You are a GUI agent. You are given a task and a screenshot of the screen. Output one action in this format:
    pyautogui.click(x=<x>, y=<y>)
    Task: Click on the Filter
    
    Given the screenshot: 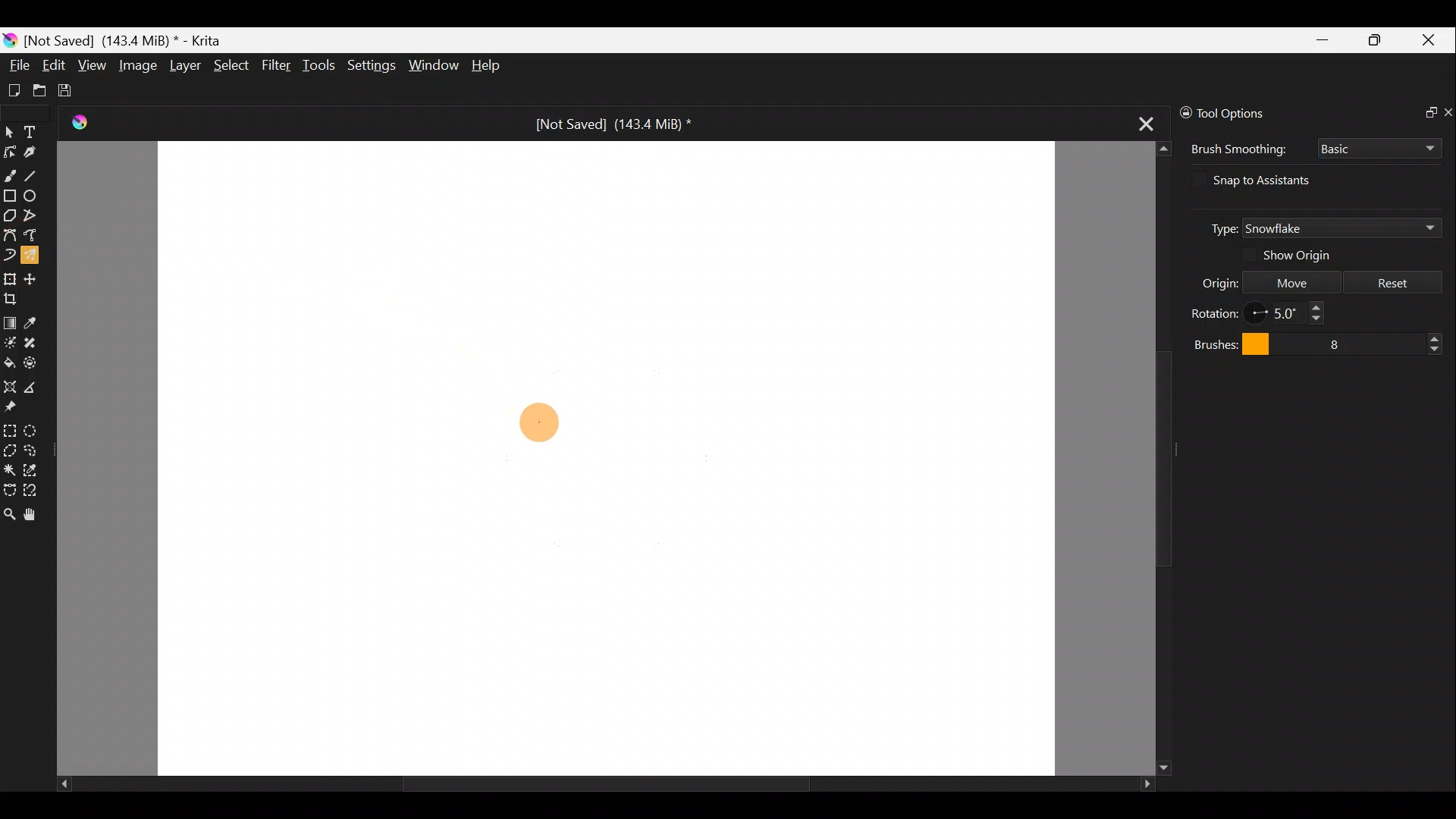 What is the action you would take?
    pyautogui.click(x=279, y=66)
    